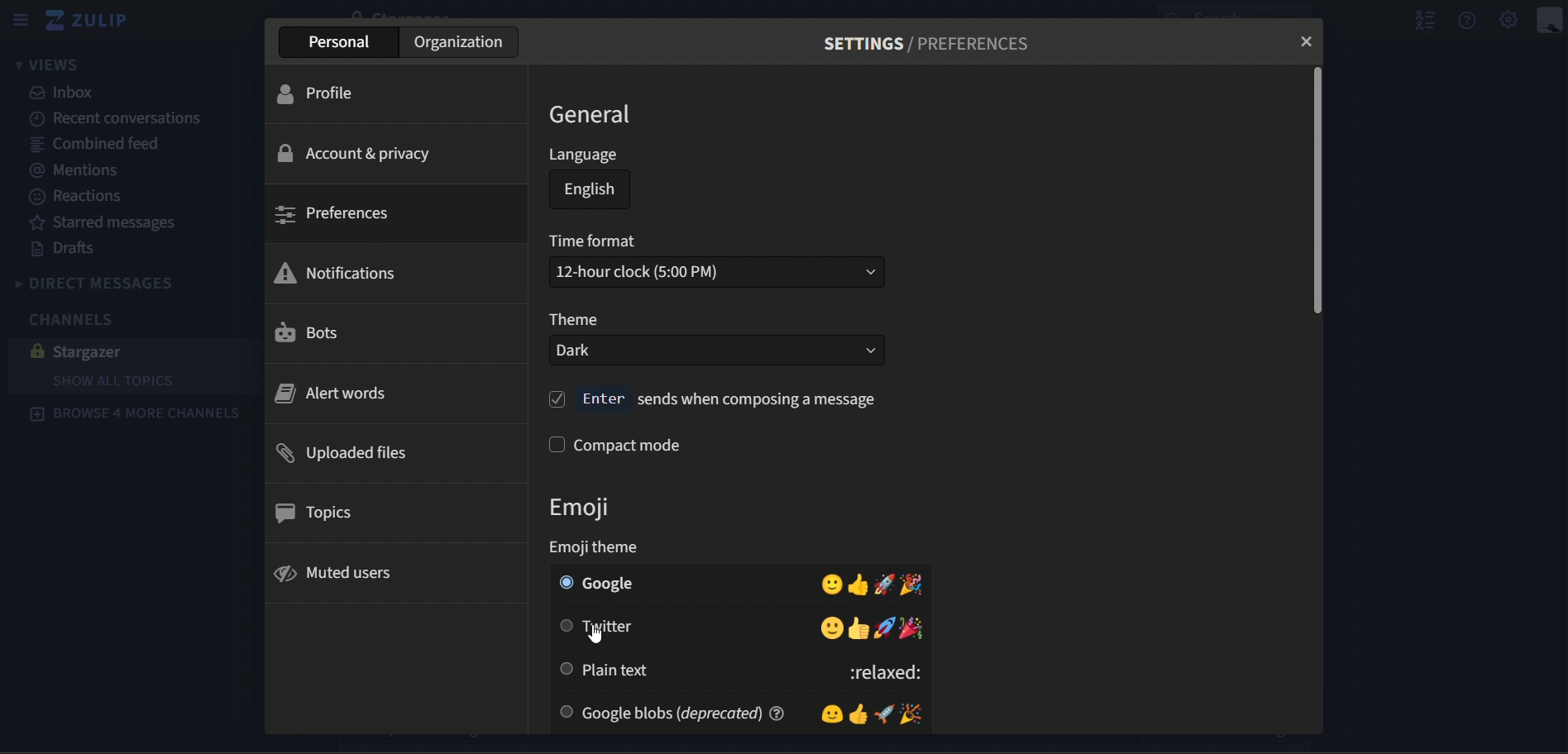  I want to click on show all topics, so click(118, 380).